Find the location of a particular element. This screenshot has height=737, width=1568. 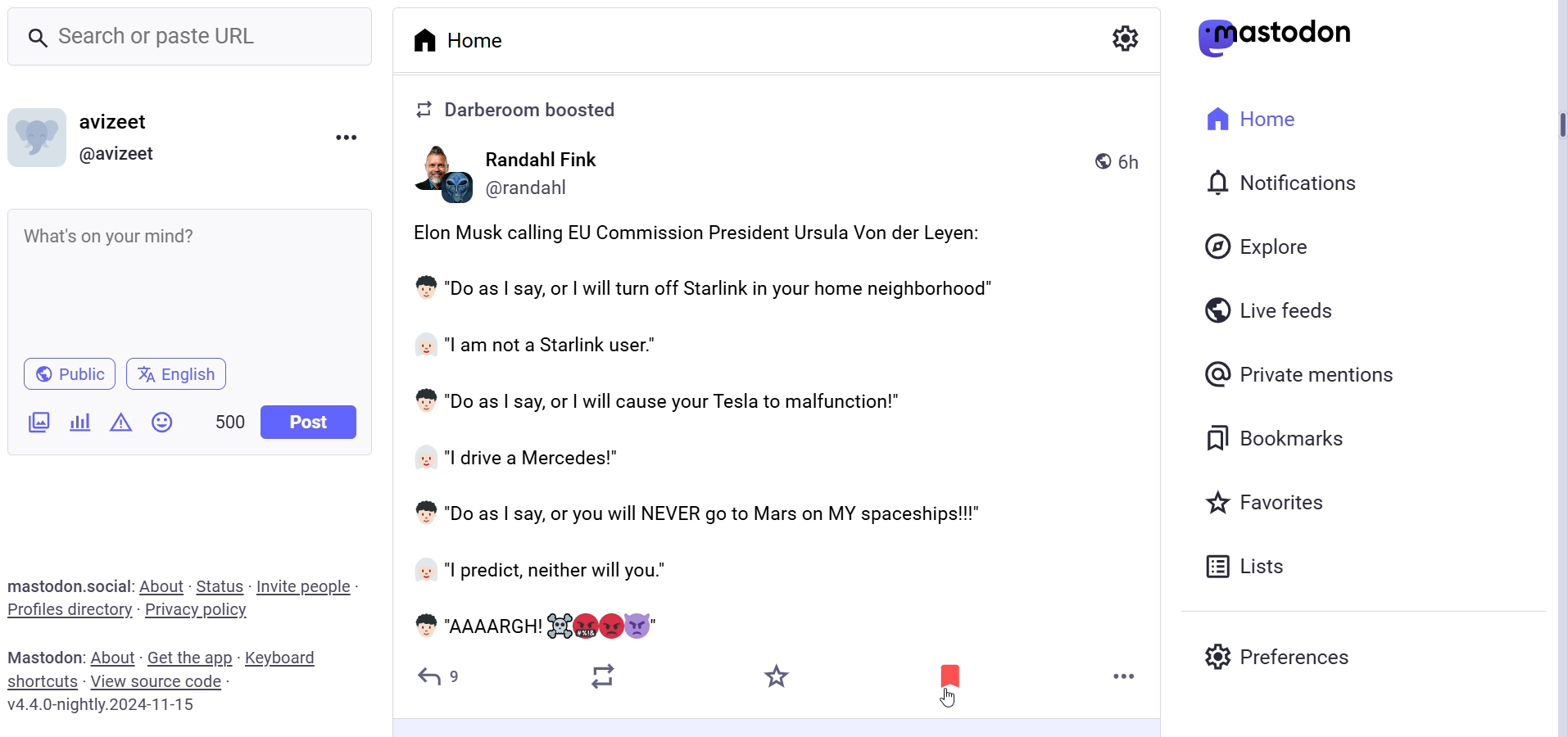

* "Do as | say, or you will NEVER go to Mars on MY spaceships!!!" is located at coordinates (715, 516).